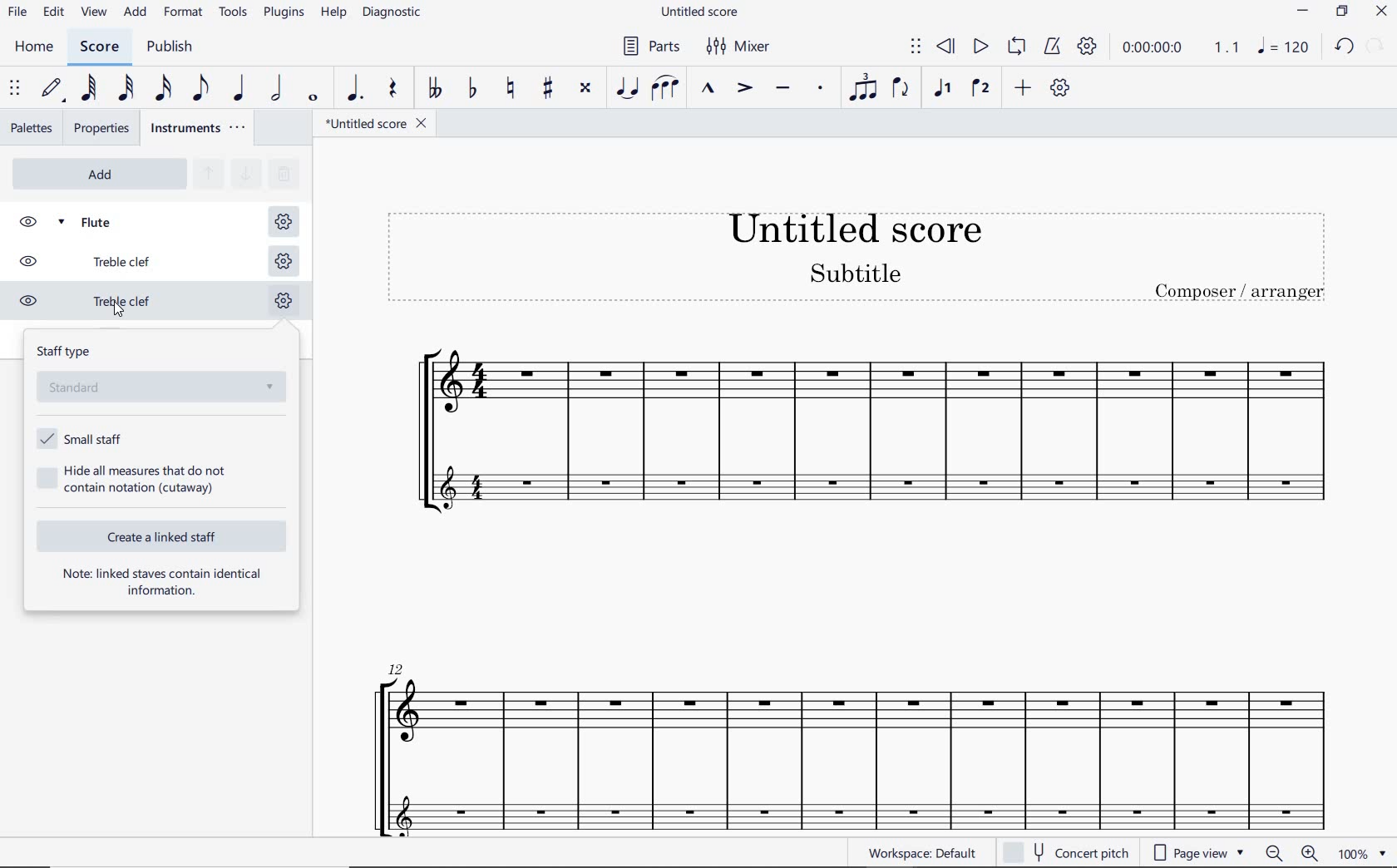  What do you see at coordinates (926, 853) in the screenshot?
I see `WORKSPACE: DEFAULT` at bounding box center [926, 853].